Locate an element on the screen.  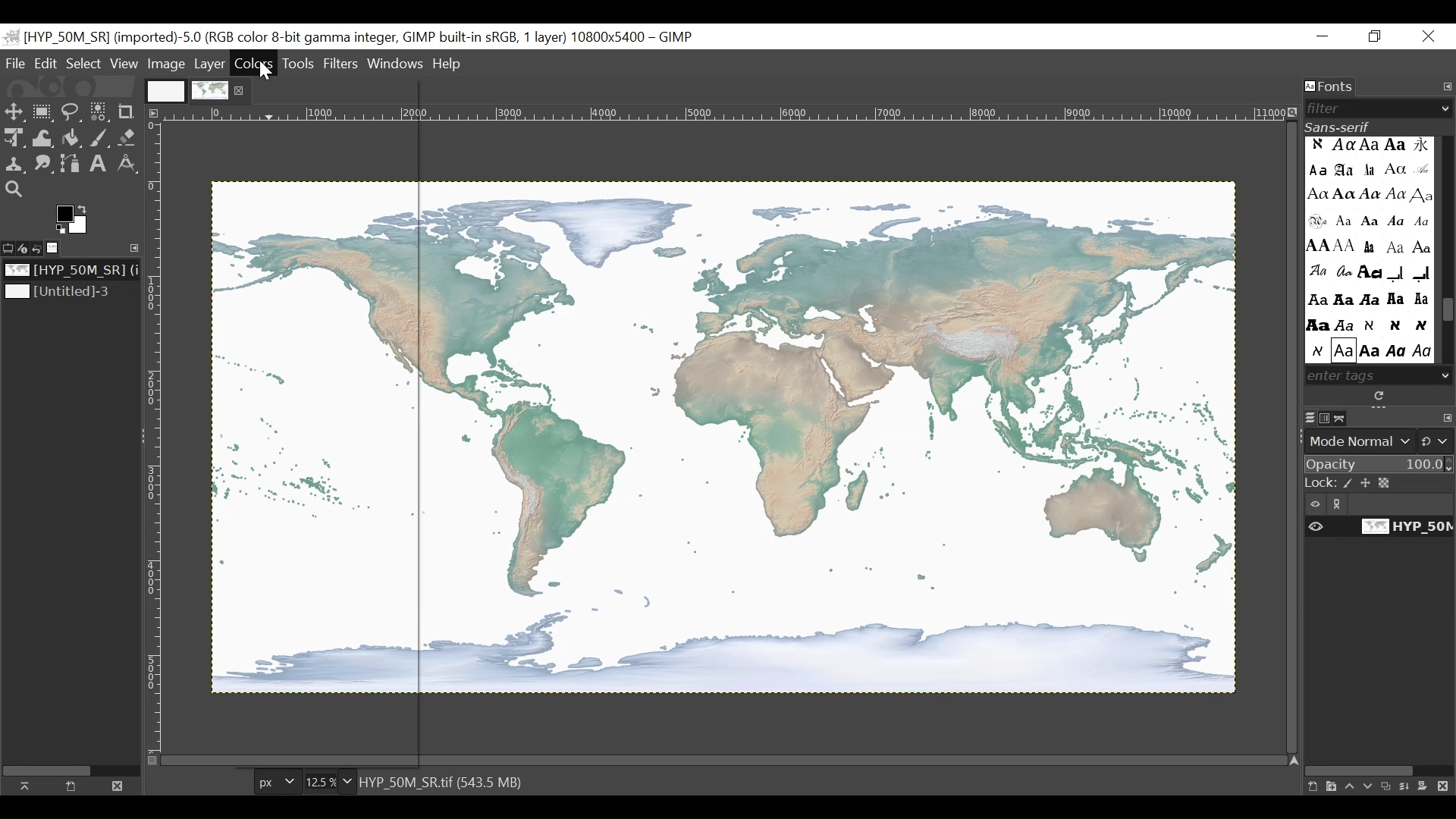
View is located at coordinates (124, 64).